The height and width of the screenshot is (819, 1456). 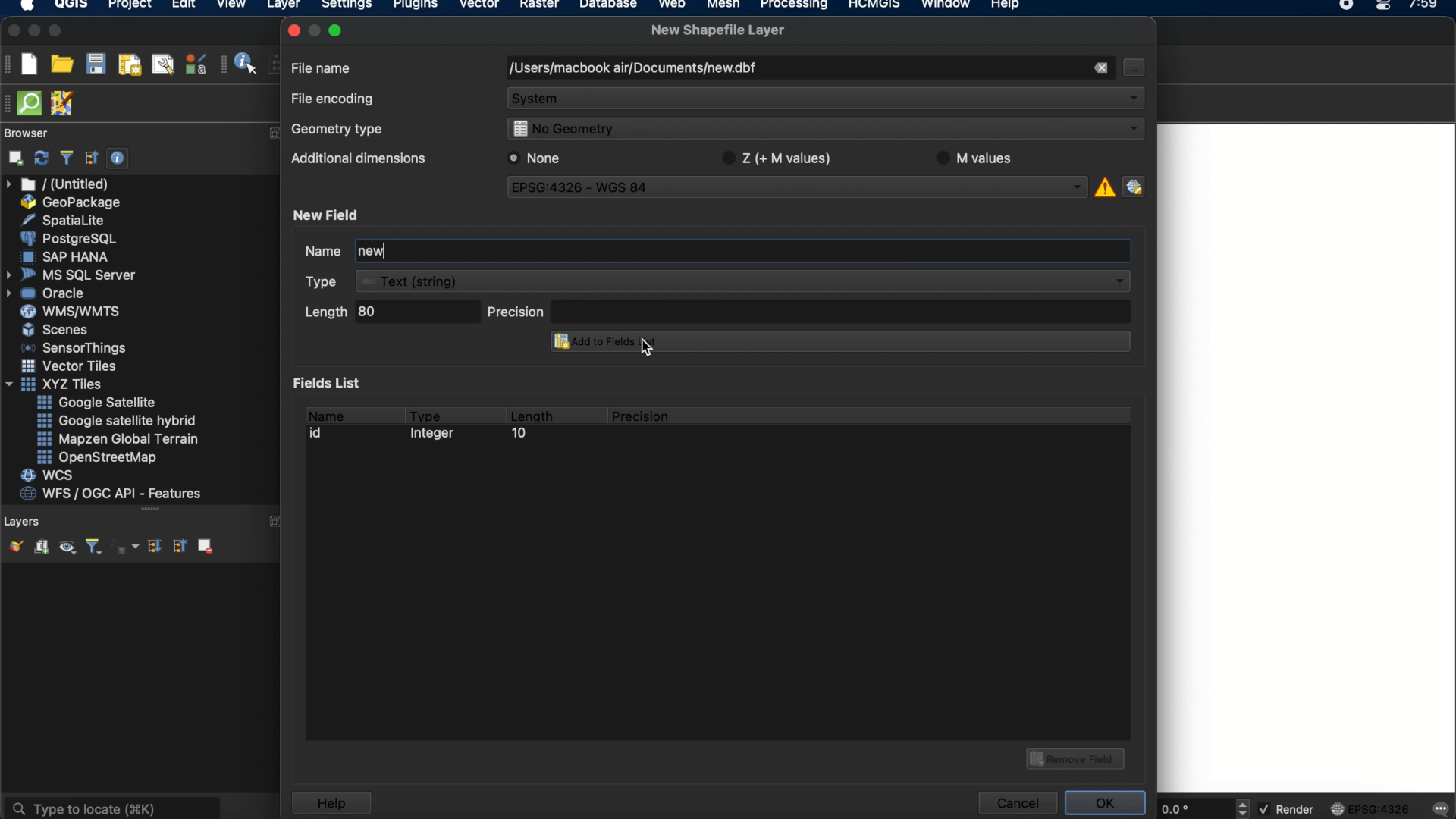 What do you see at coordinates (49, 476) in the screenshot?
I see `wcs` at bounding box center [49, 476].